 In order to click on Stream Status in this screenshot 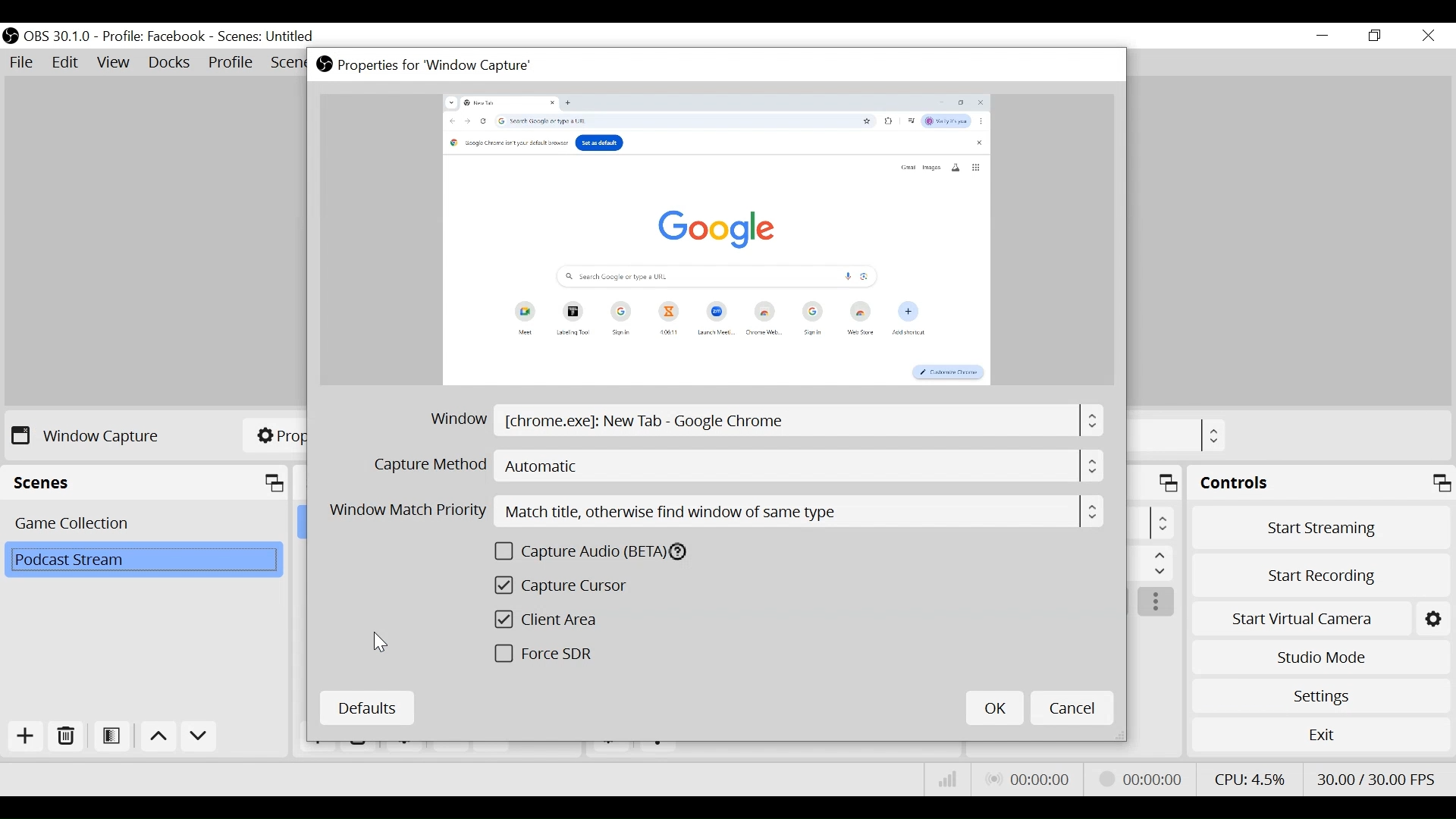, I will do `click(1144, 780)`.